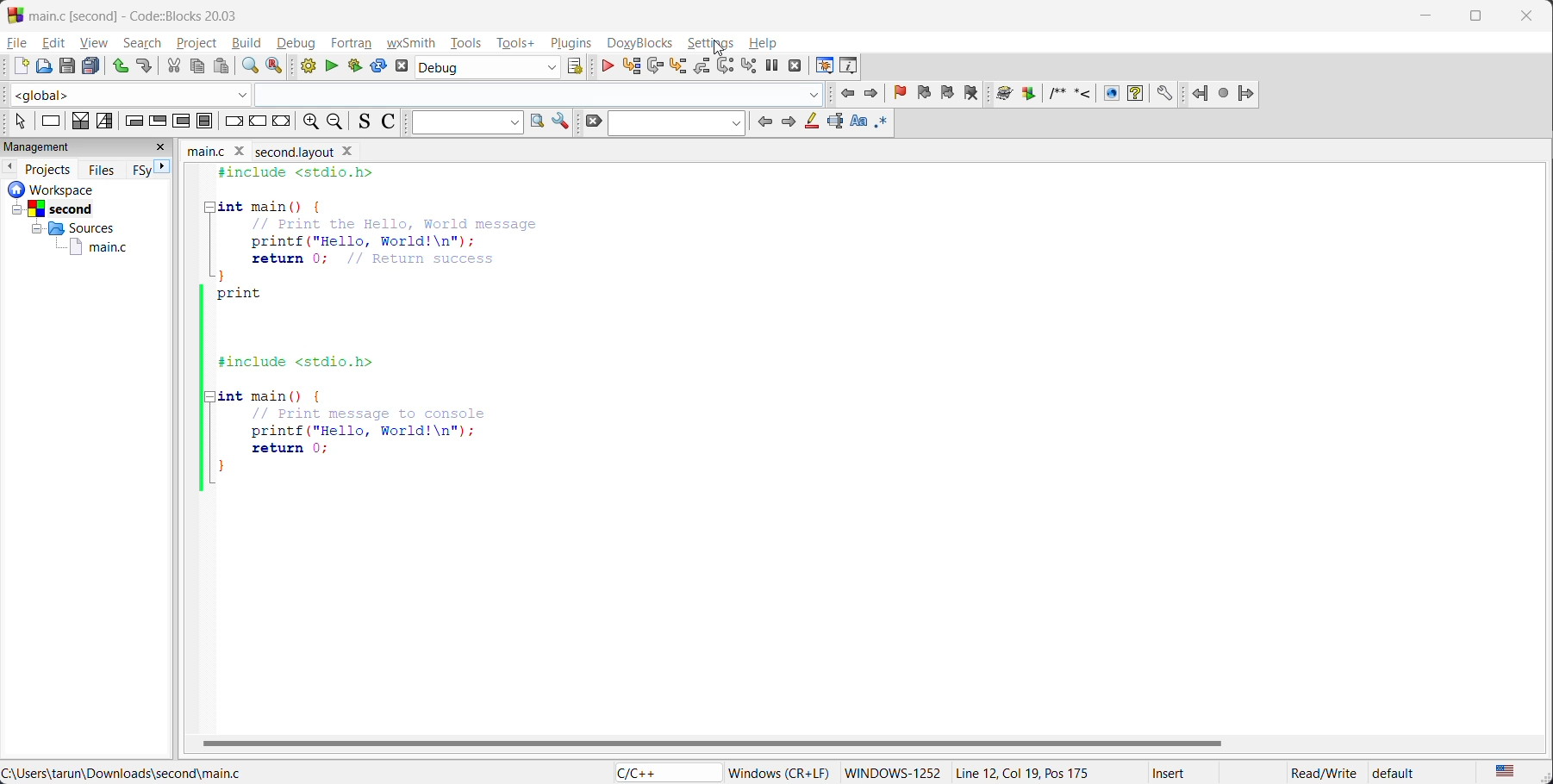 Image resolution: width=1553 pixels, height=784 pixels. Describe the element at coordinates (164, 148) in the screenshot. I see `close` at that location.